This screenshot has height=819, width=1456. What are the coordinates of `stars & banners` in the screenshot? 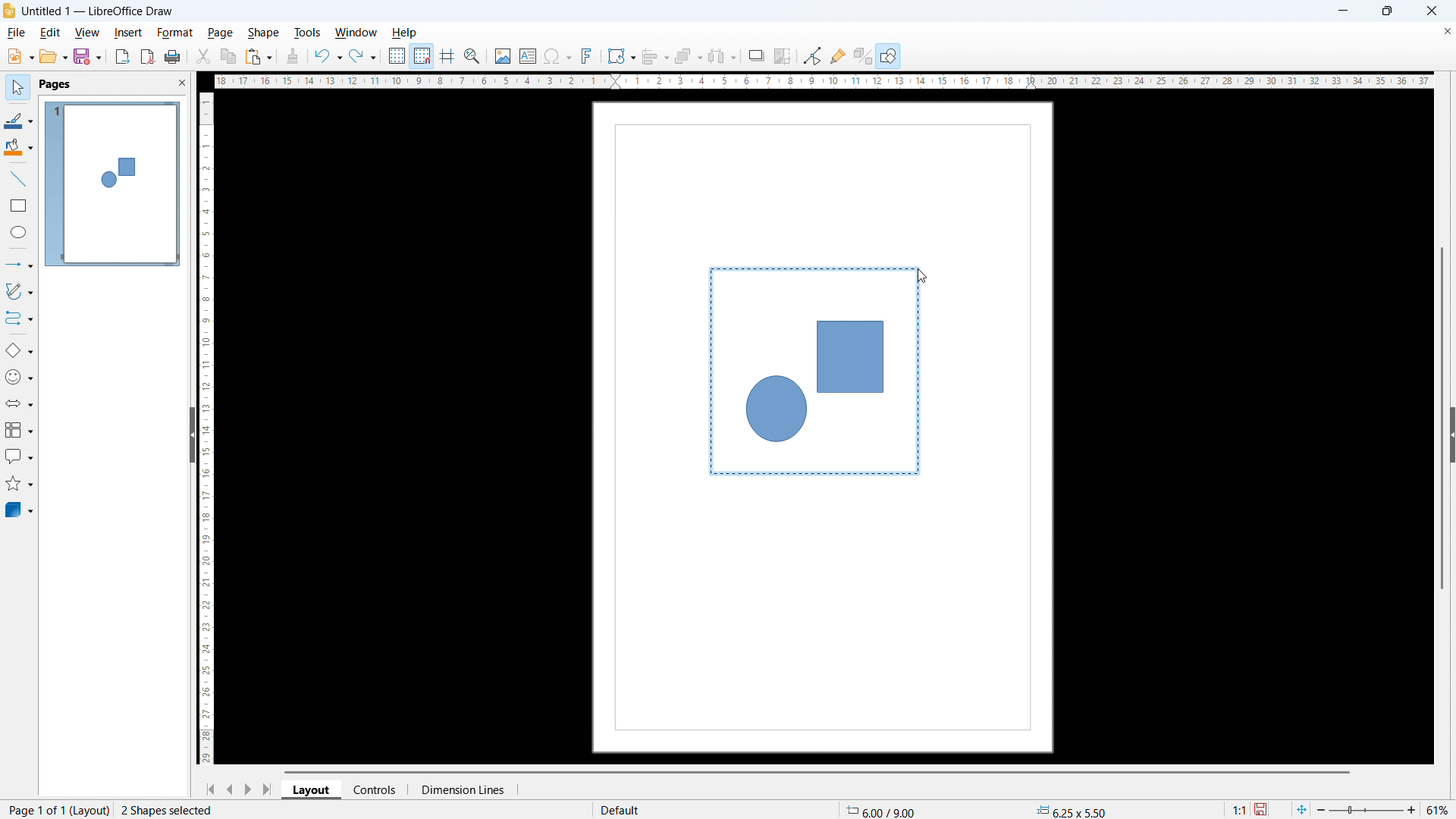 It's located at (20, 485).